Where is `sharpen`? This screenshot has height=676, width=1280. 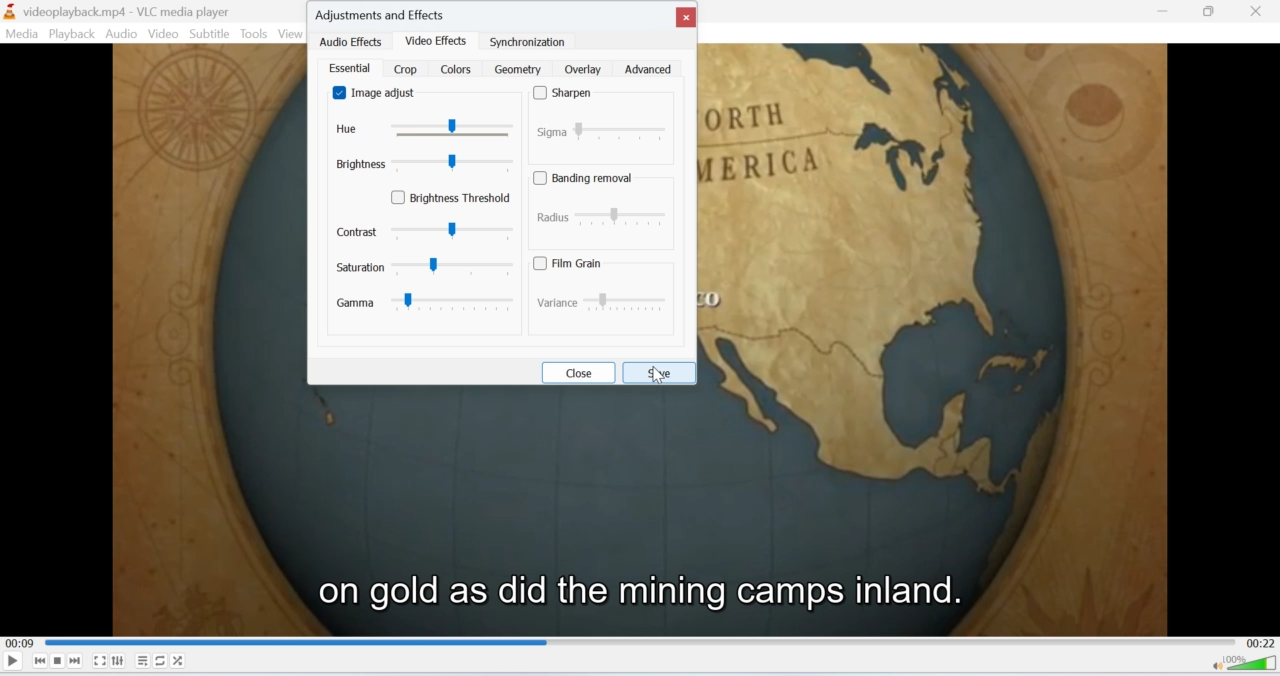 sharpen is located at coordinates (568, 93).